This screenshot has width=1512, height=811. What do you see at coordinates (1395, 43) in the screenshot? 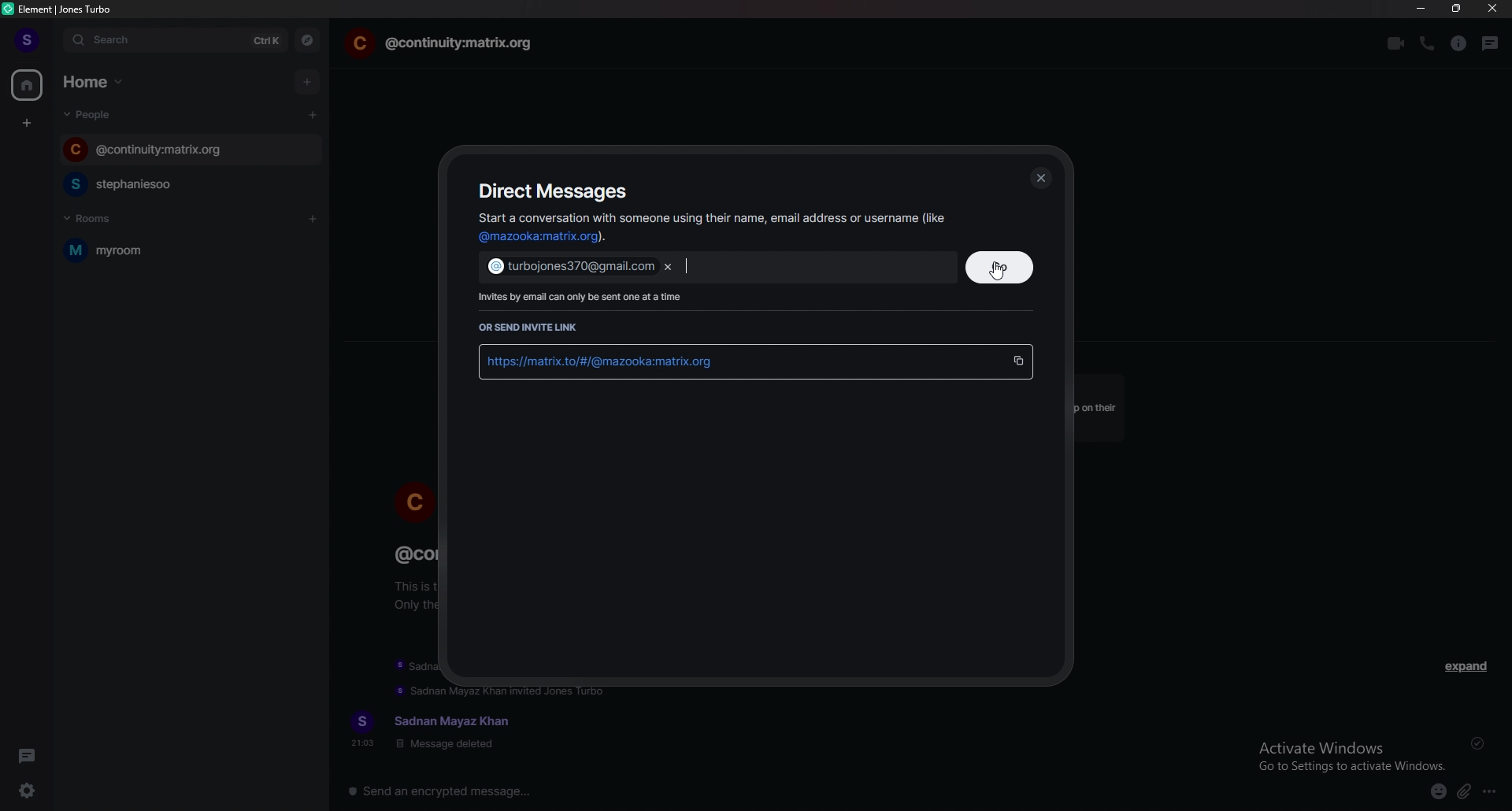
I see `video call` at bounding box center [1395, 43].